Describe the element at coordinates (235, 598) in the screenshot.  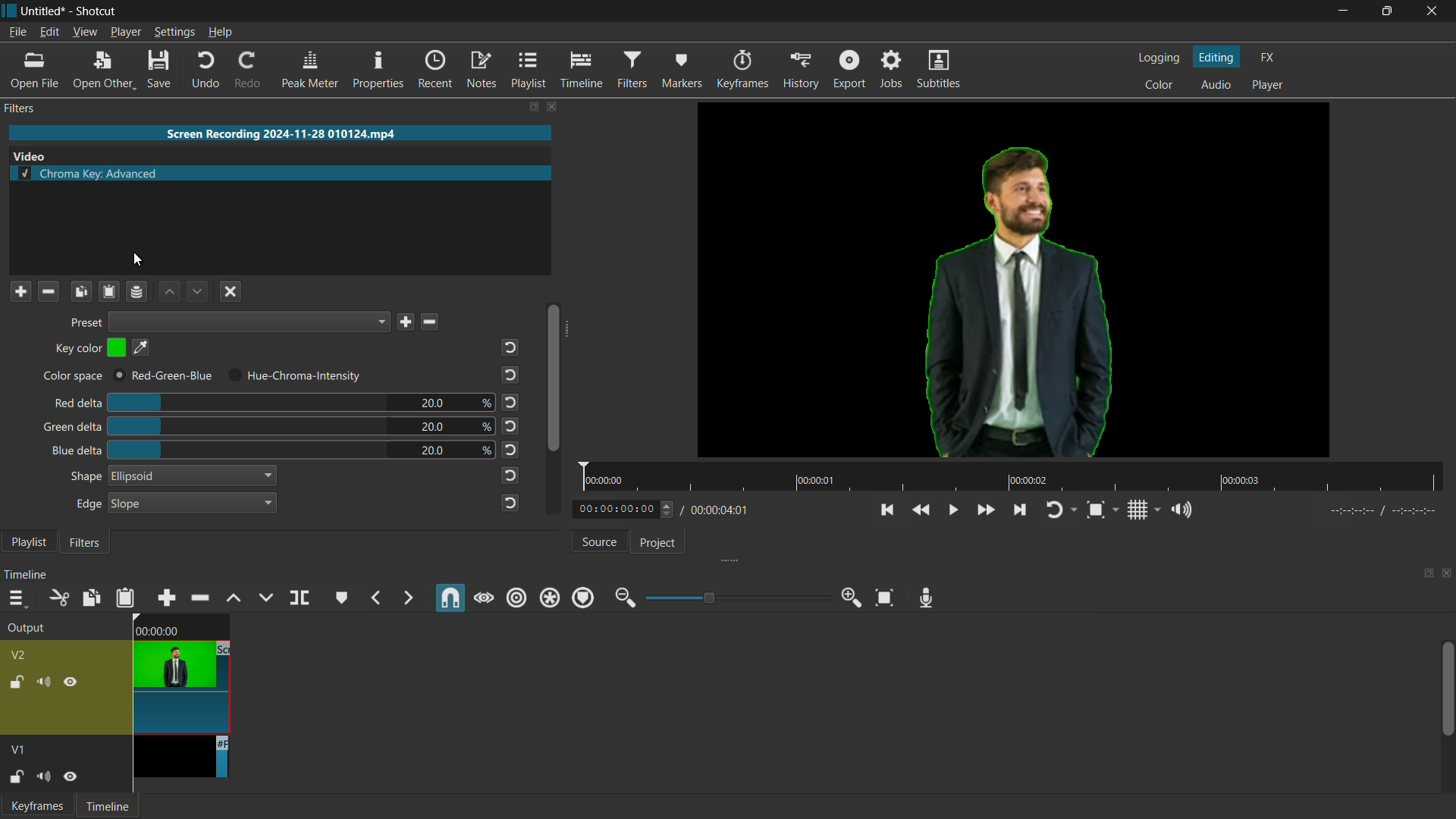
I see `lift` at that location.